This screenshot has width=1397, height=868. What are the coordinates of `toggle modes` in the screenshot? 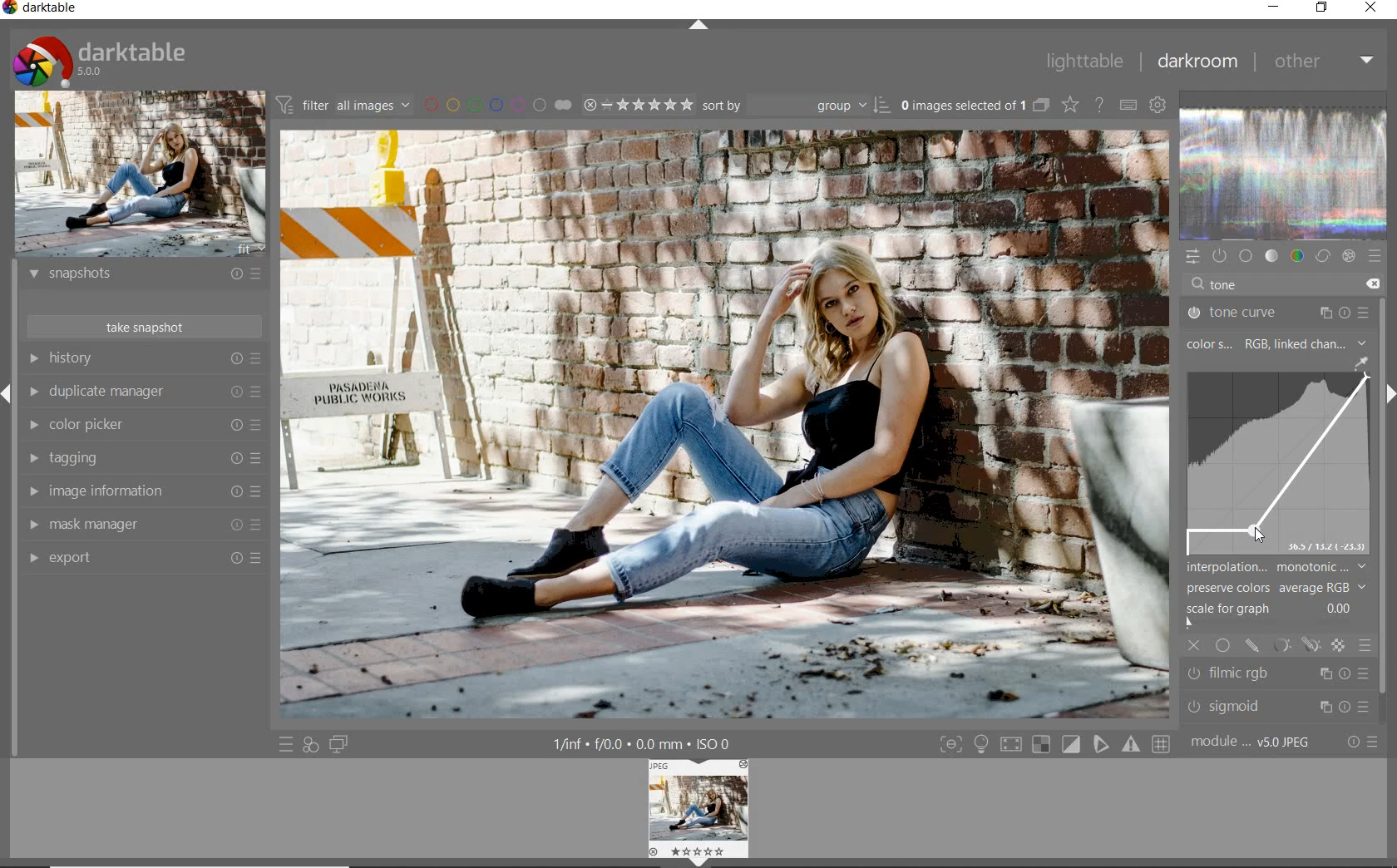 It's located at (1052, 745).